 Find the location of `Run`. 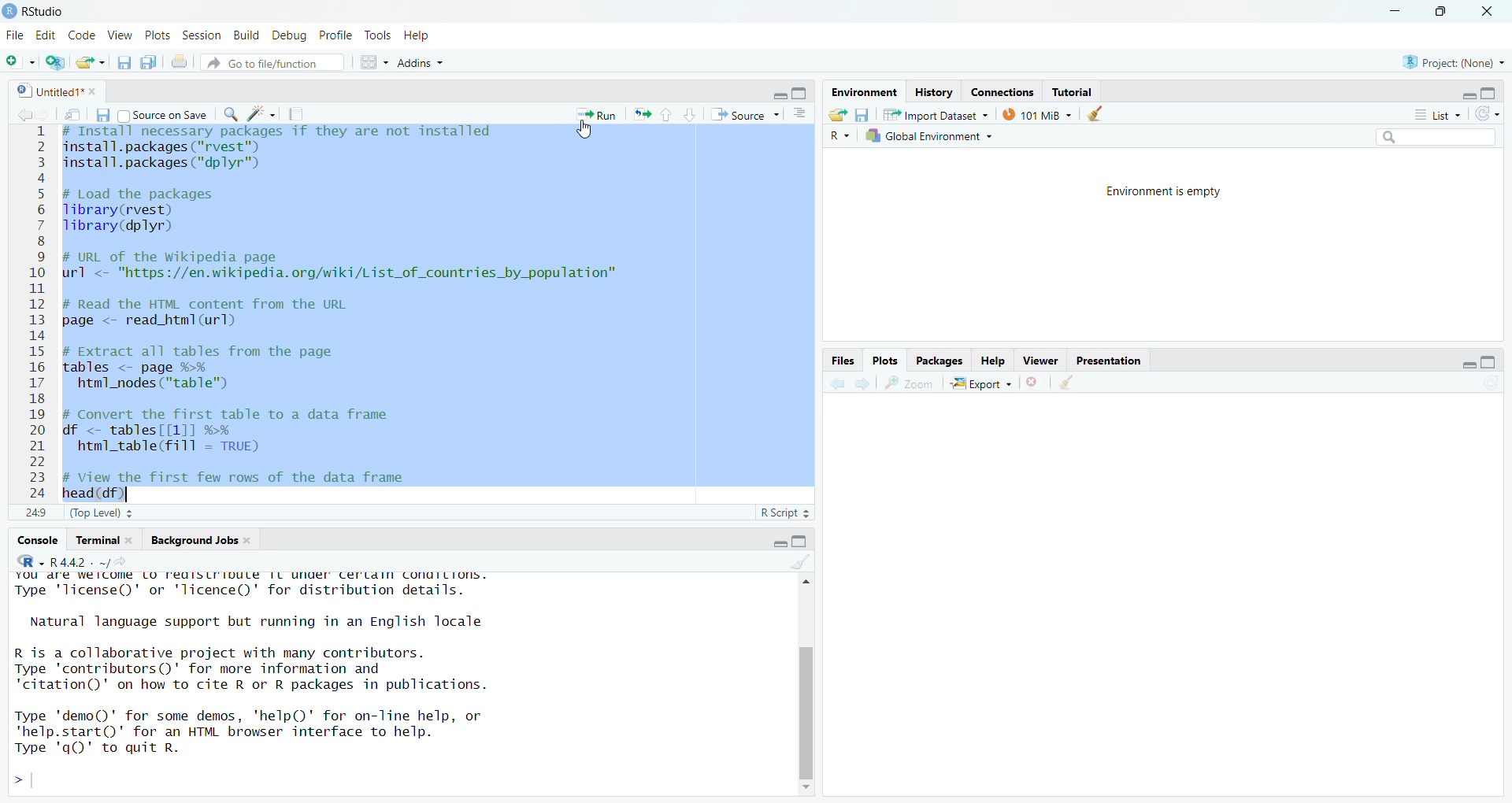

Run is located at coordinates (595, 115).